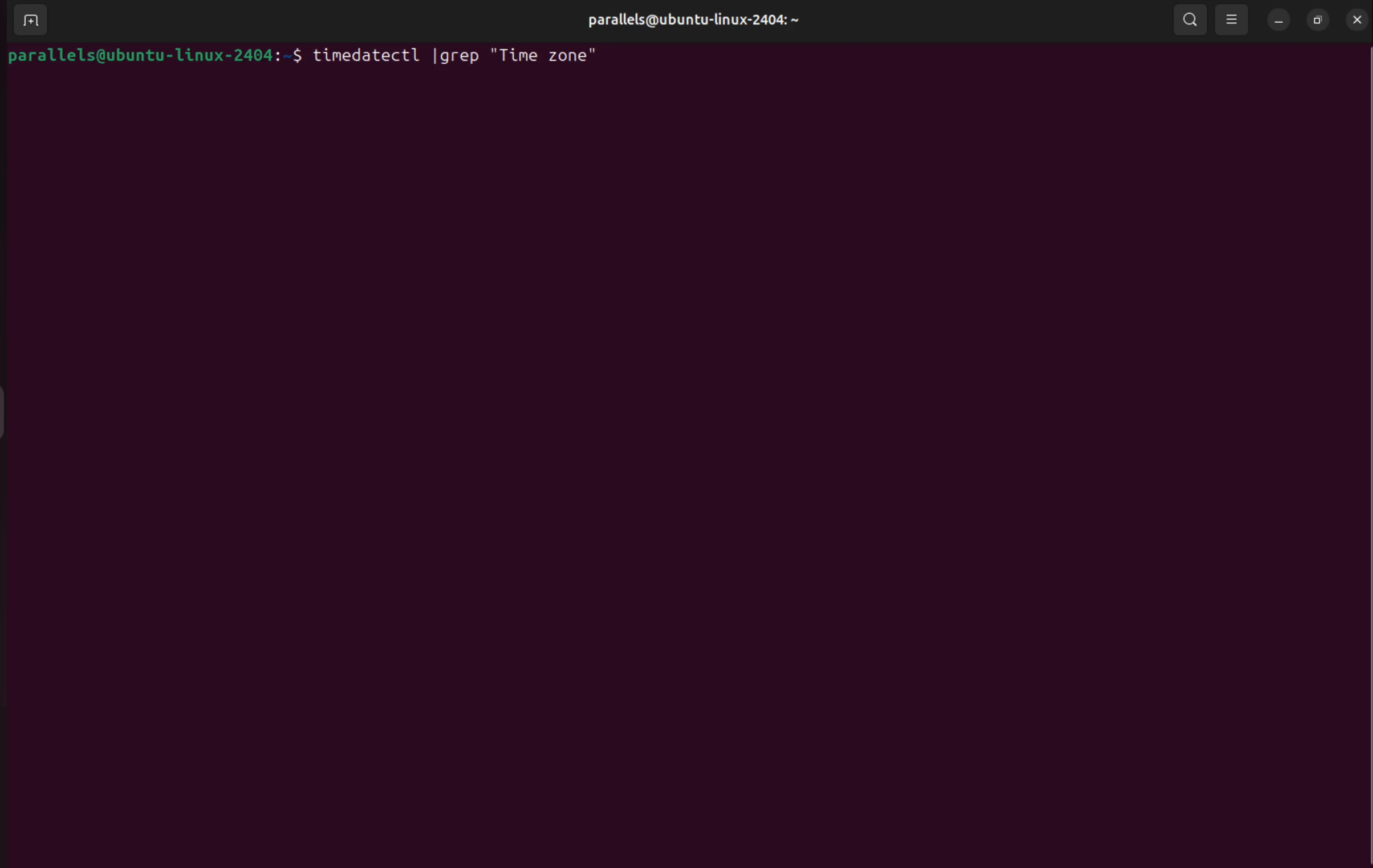 This screenshot has width=1373, height=868. What do you see at coordinates (1233, 18) in the screenshot?
I see `view options` at bounding box center [1233, 18].